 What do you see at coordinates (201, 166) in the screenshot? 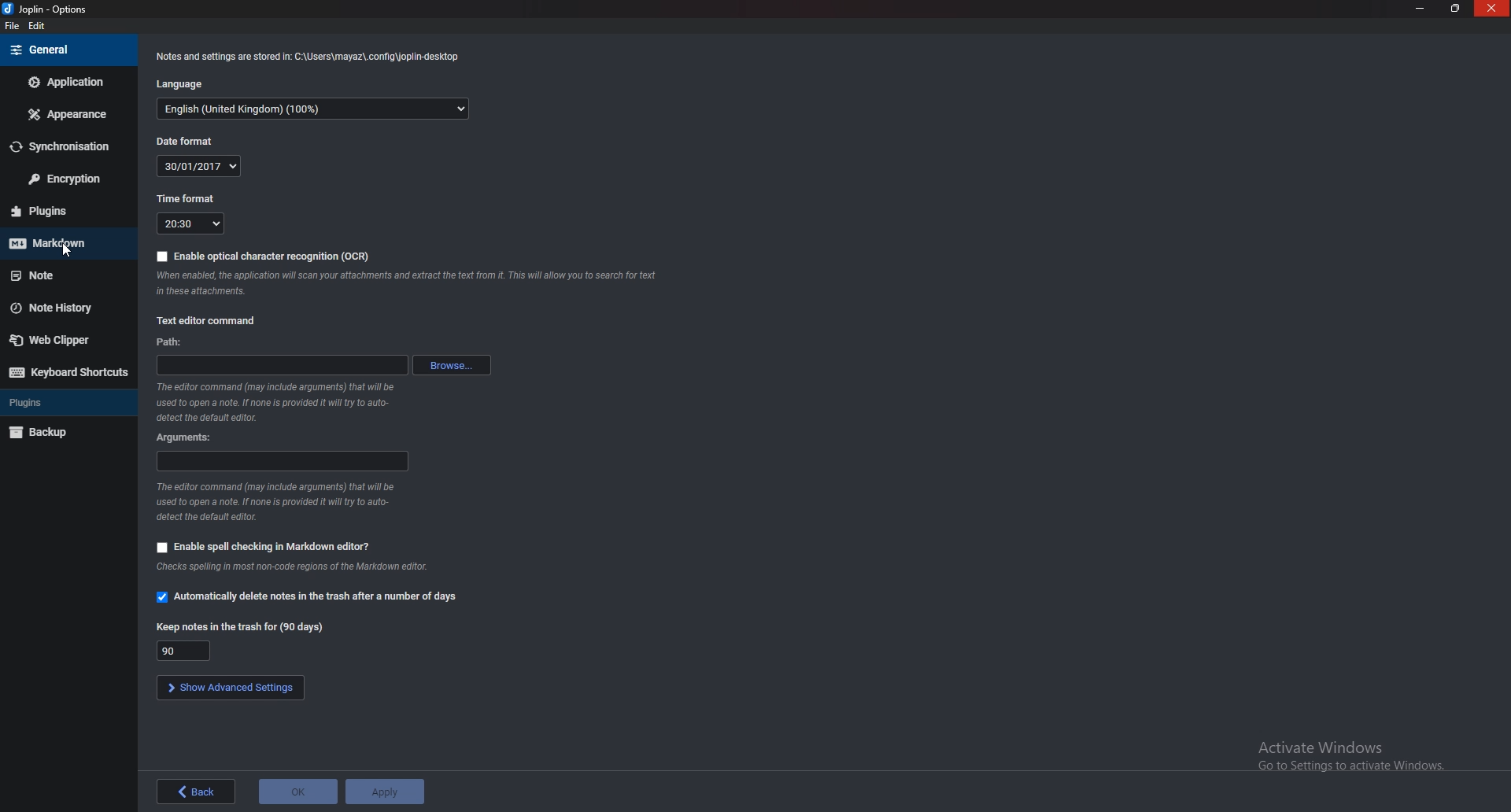
I see `30/01/2017` at bounding box center [201, 166].